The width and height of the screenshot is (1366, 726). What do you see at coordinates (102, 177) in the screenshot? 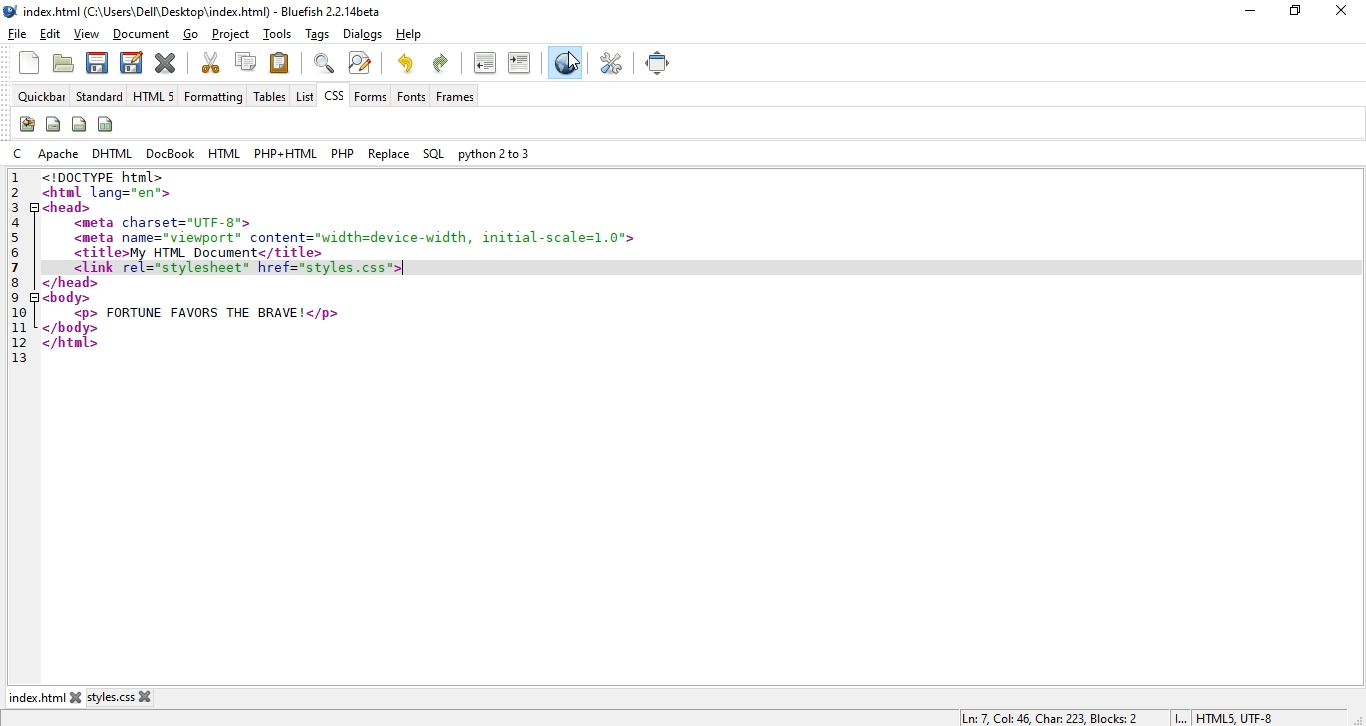
I see `<!DOCTYPE html>` at bounding box center [102, 177].